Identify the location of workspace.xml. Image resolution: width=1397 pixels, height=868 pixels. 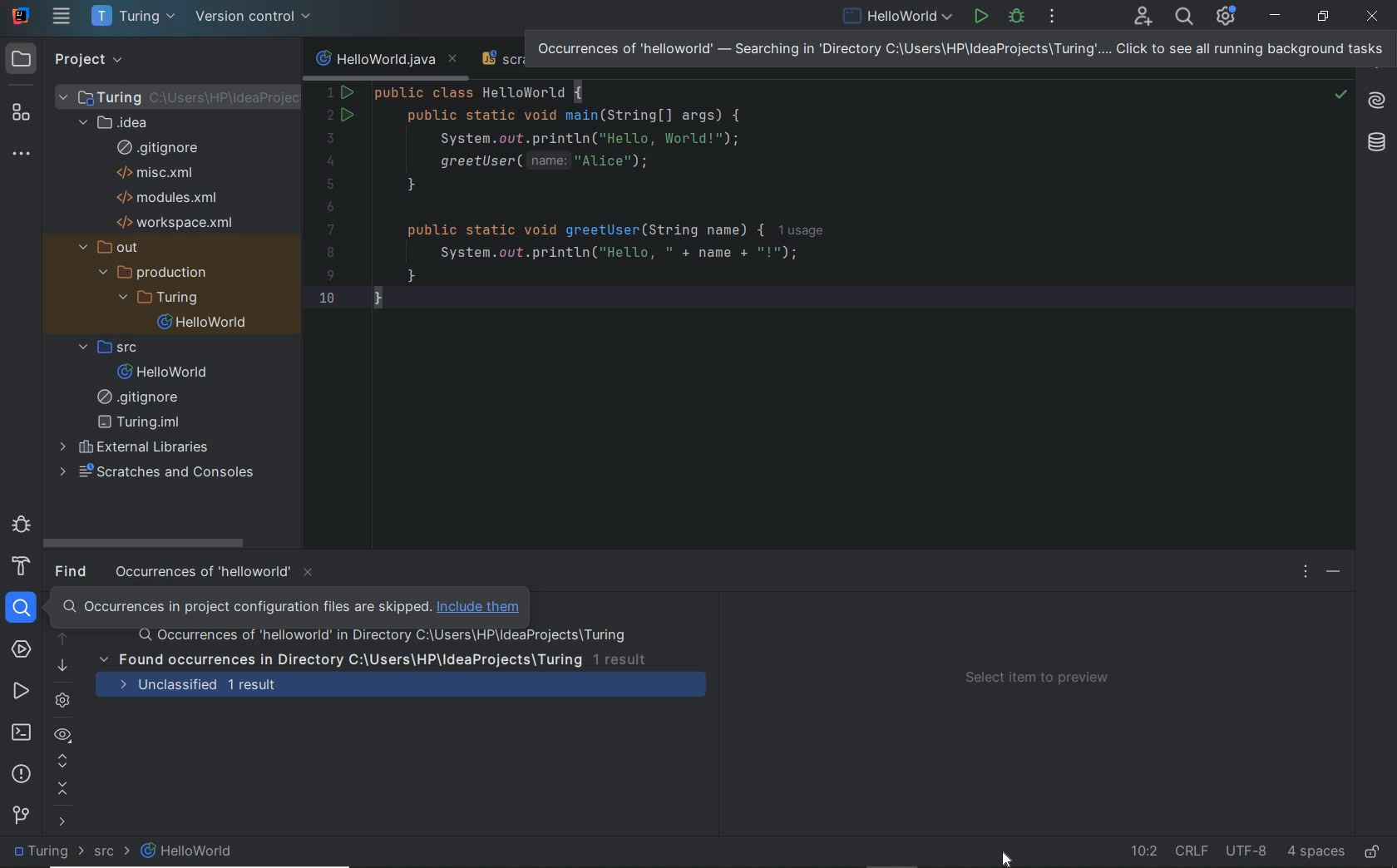
(180, 222).